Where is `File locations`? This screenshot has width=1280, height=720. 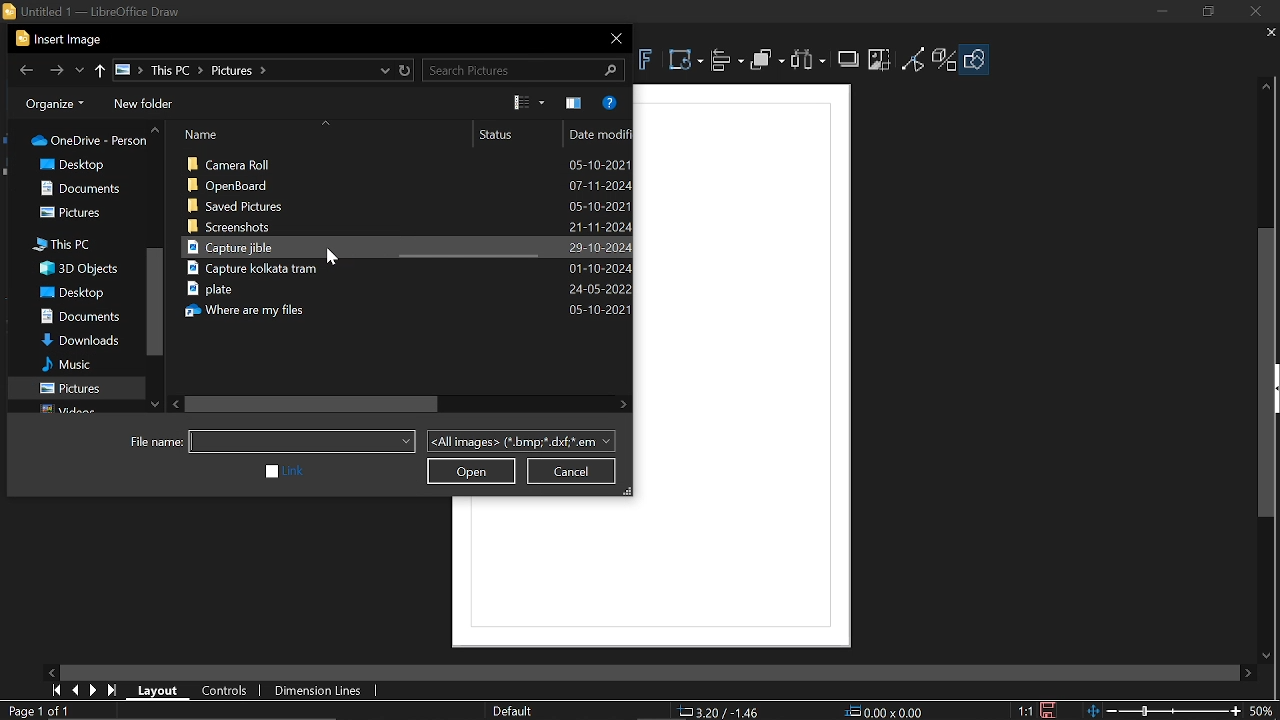
File locations is located at coordinates (254, 70).